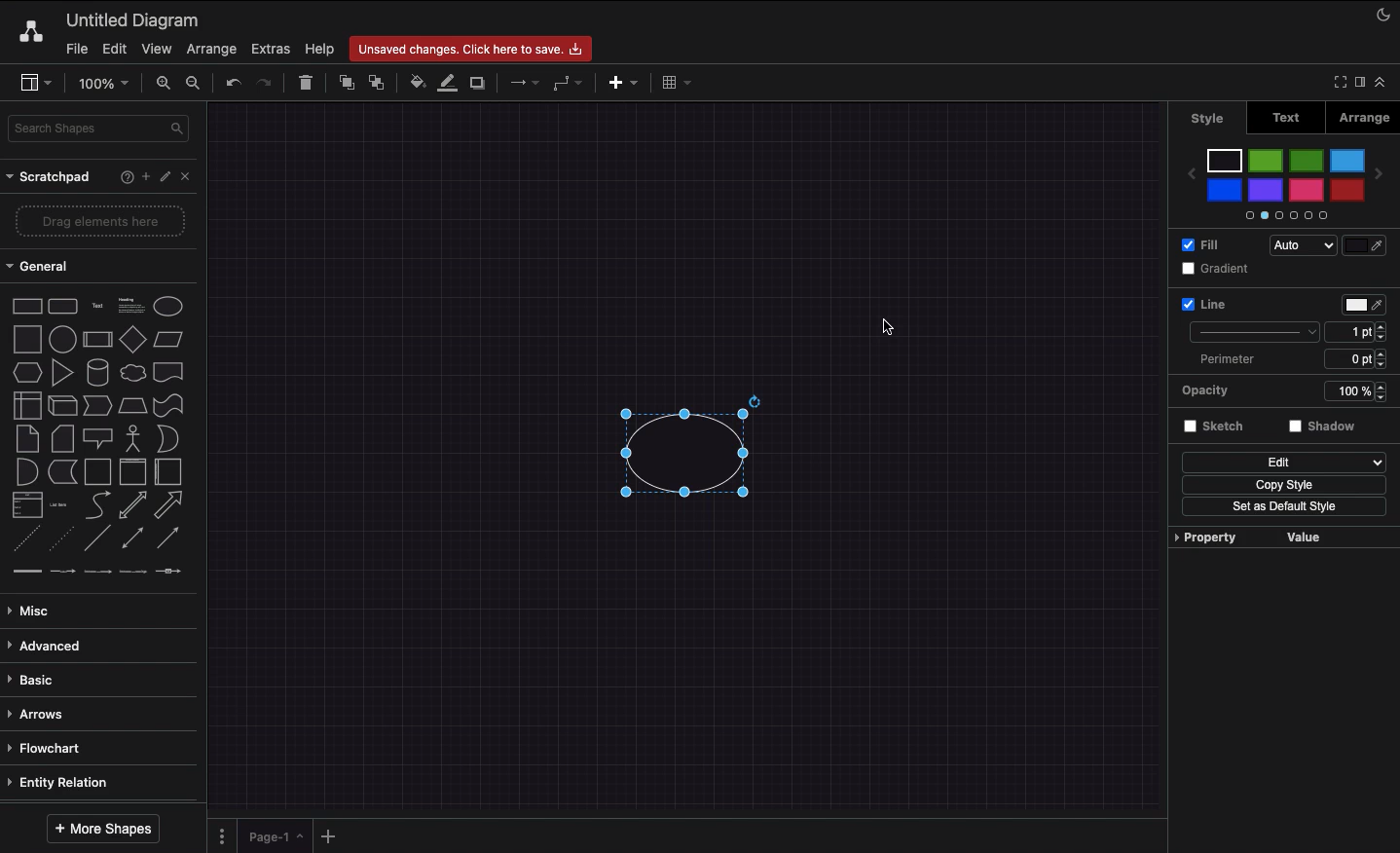 This screenshot has height=853, width=1400. I want to click on Sidebar , so click(35, 84).